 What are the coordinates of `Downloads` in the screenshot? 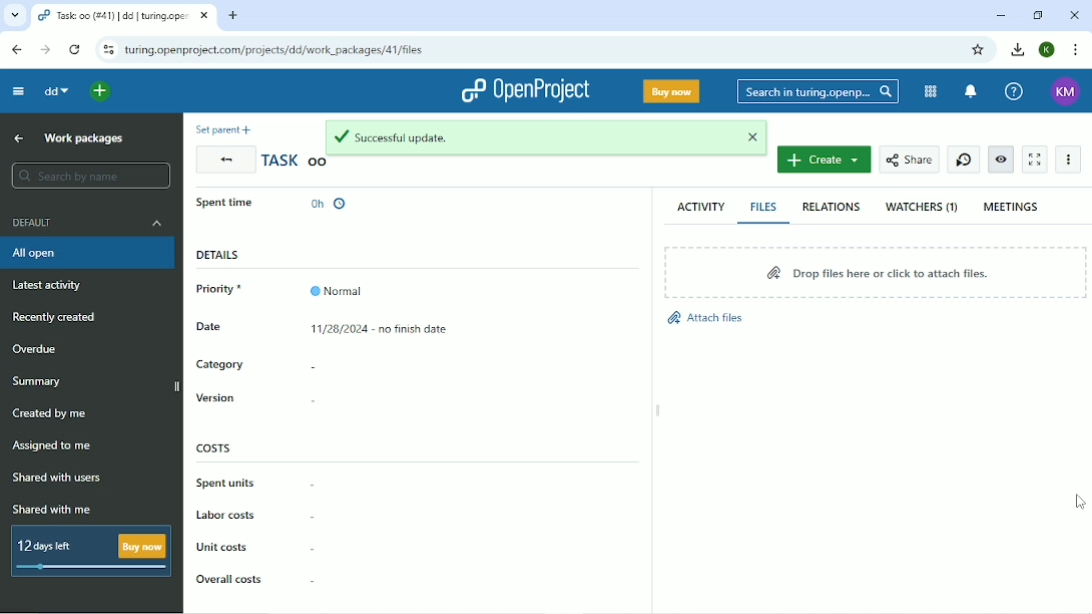 It's located at (1019, 50).